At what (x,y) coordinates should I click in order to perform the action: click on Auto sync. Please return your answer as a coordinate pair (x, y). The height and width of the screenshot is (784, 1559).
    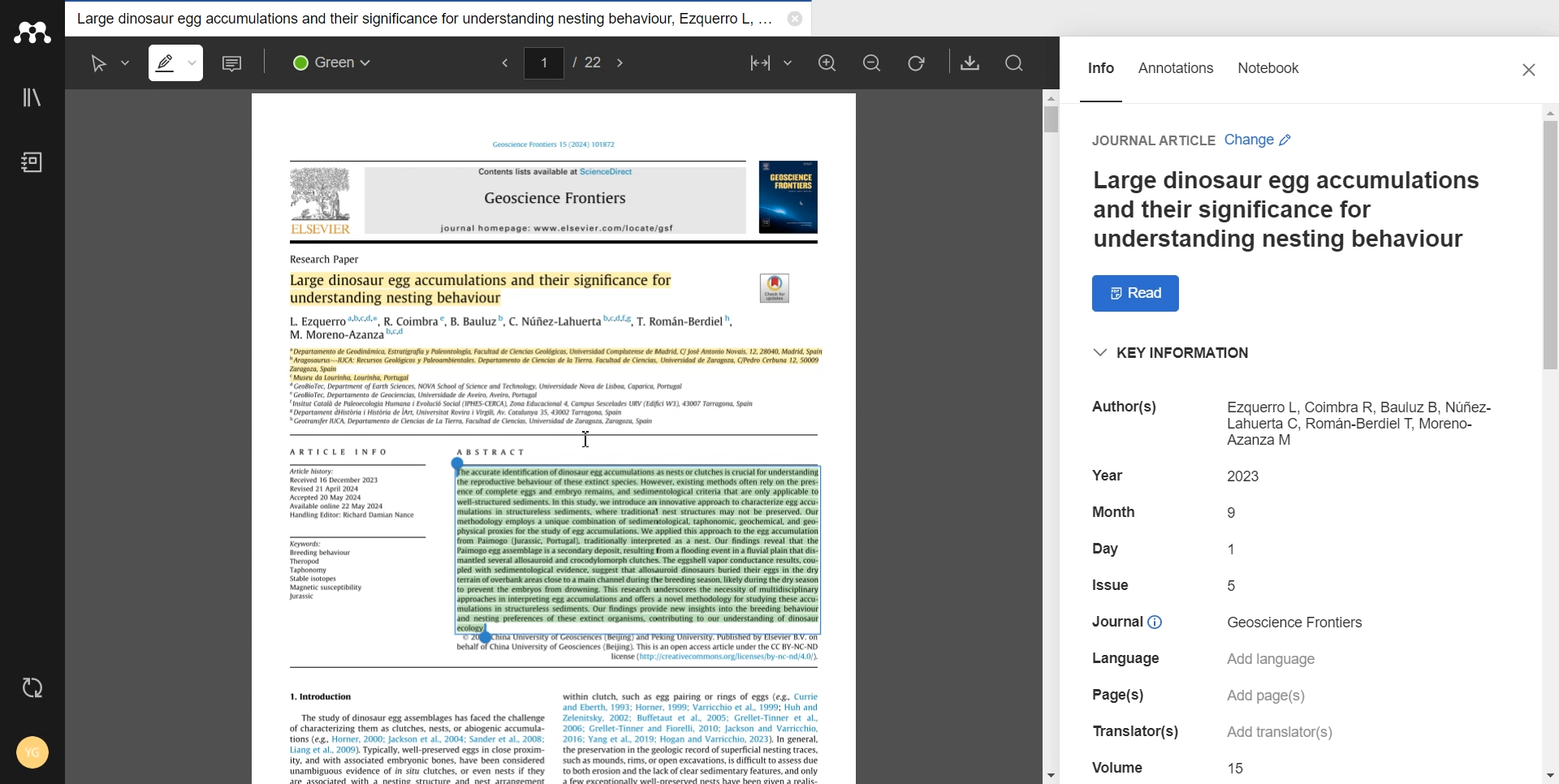
    Looking at the image, I should click on (32, 689).